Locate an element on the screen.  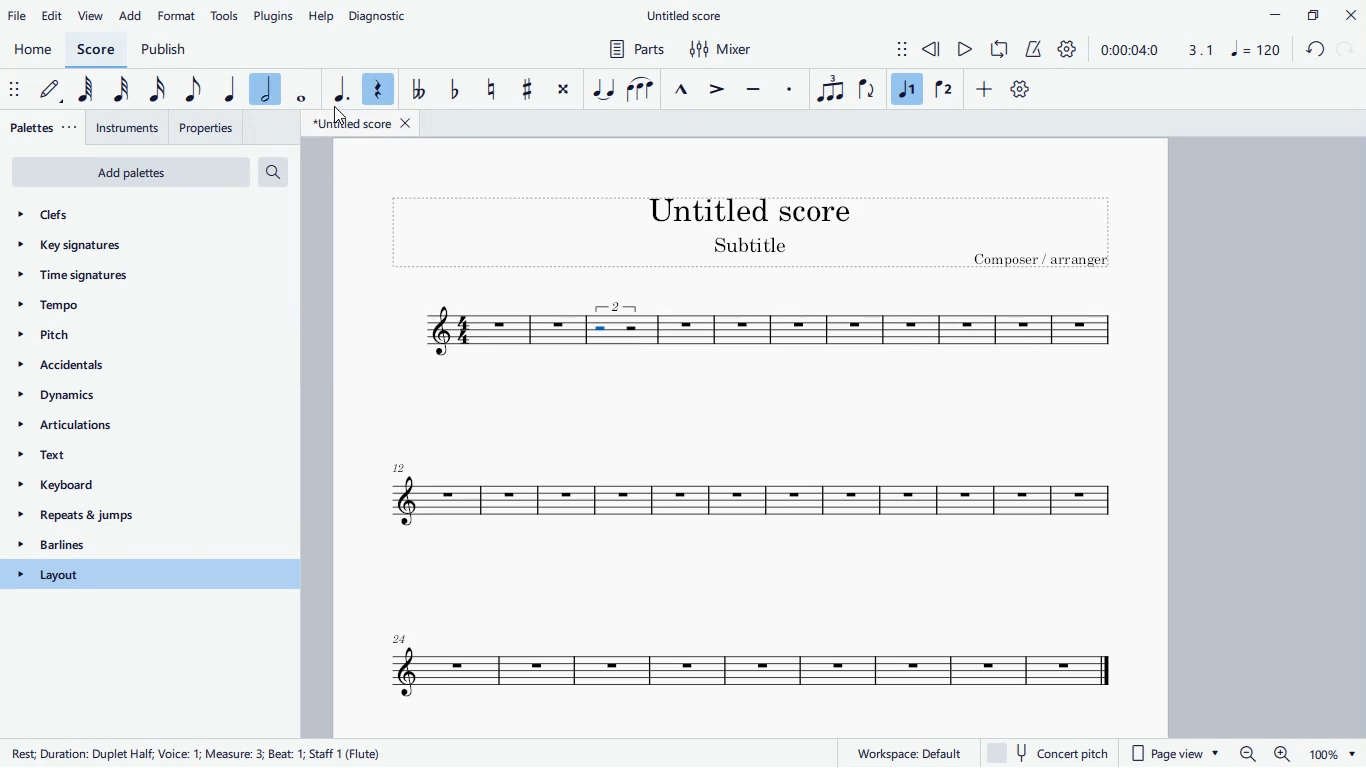
score is located at coordinates (756, 498).